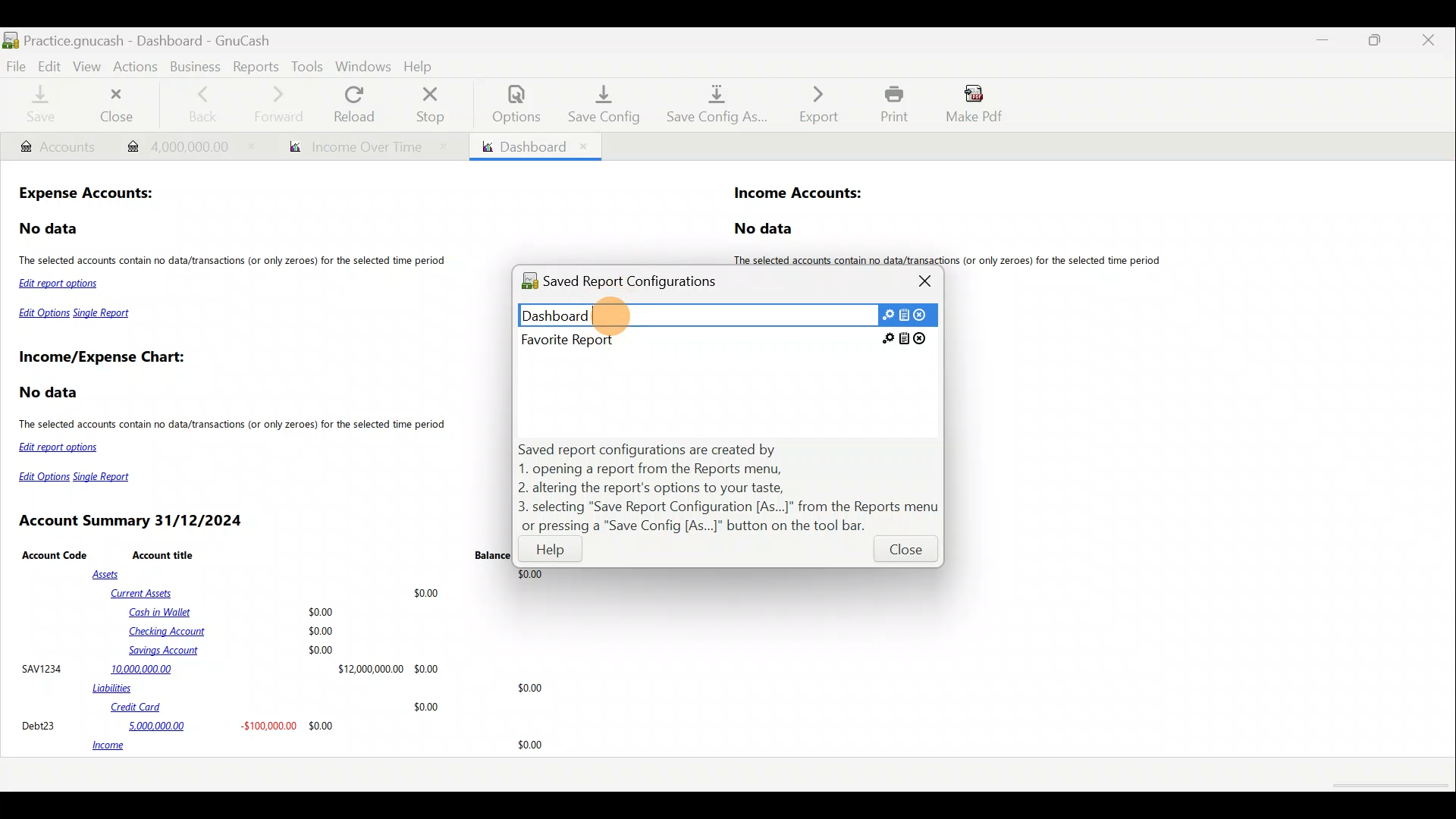 The width and height of the screenshot is (1456, 819). I want to click on Save config as, so click(712, 105).